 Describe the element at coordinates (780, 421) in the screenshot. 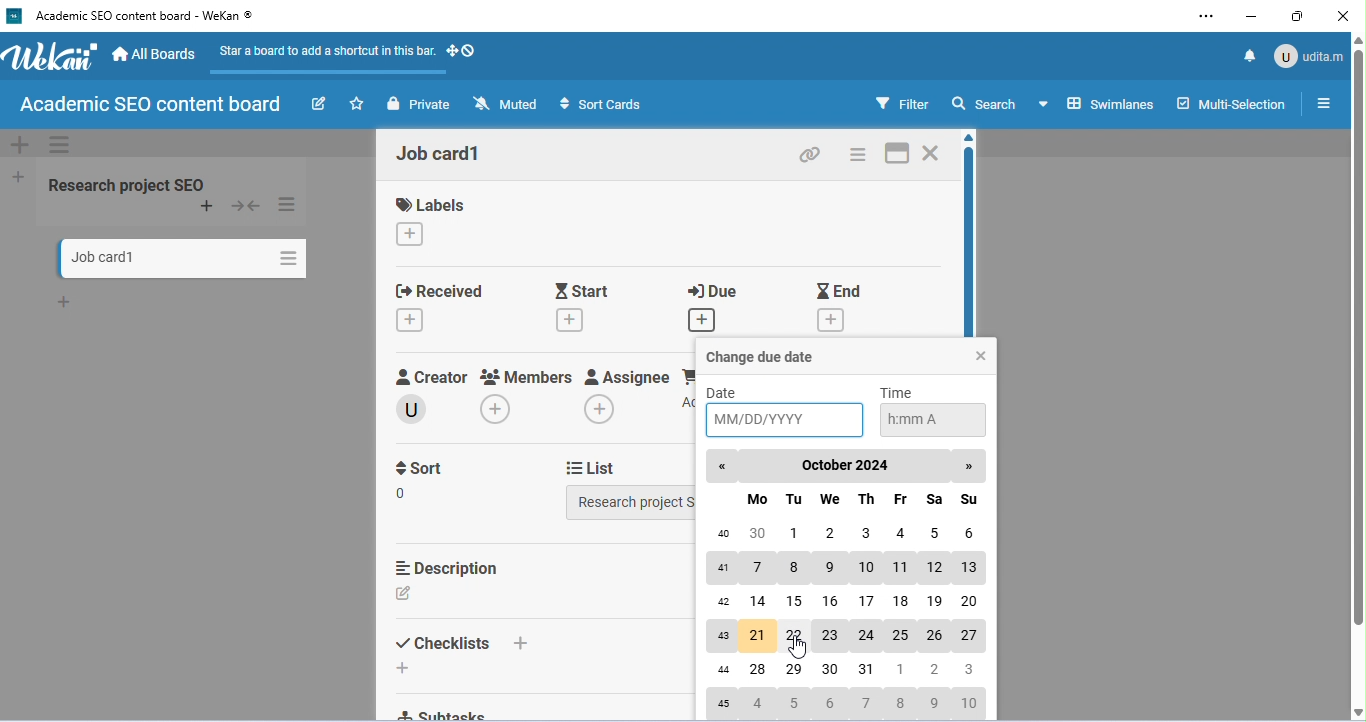

I see `select date in MM/DD/YYYY format` at that location.